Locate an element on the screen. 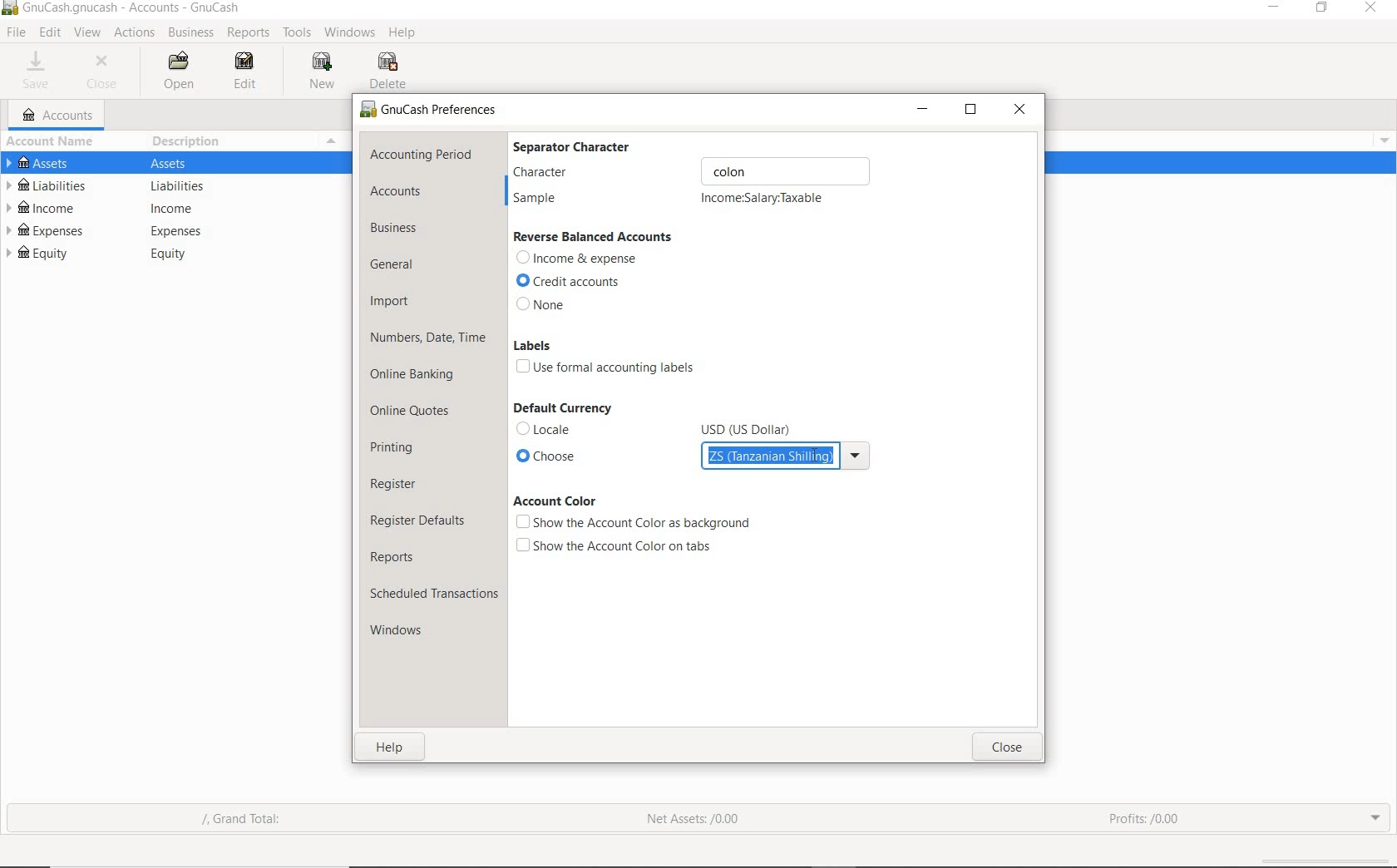 The width and height of the screenshot is (1397, 868). online banking is located at coordinates (416, 377).